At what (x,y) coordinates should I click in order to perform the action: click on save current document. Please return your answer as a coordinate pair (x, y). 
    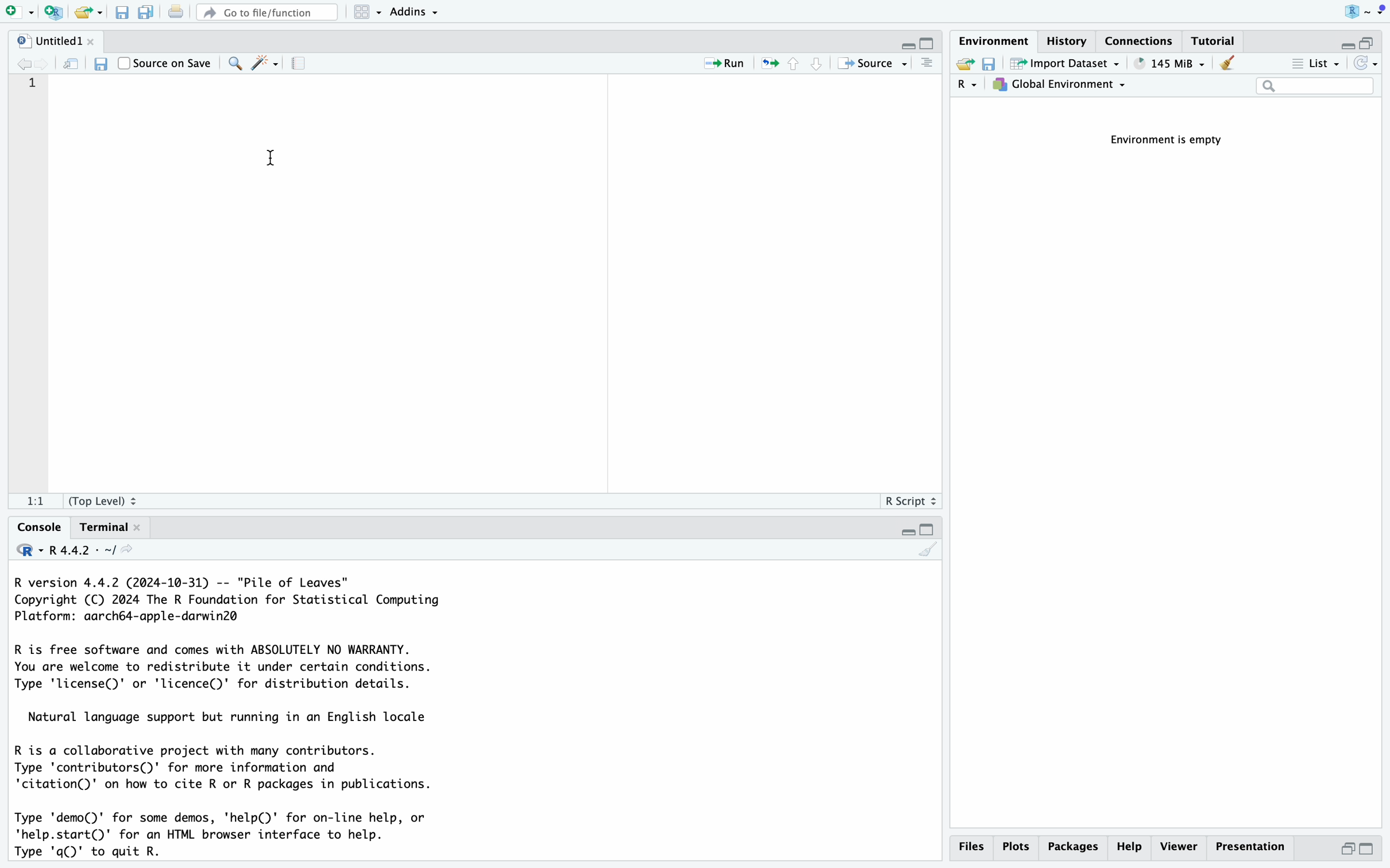
    Looking at the image, I should click on (98, 65).